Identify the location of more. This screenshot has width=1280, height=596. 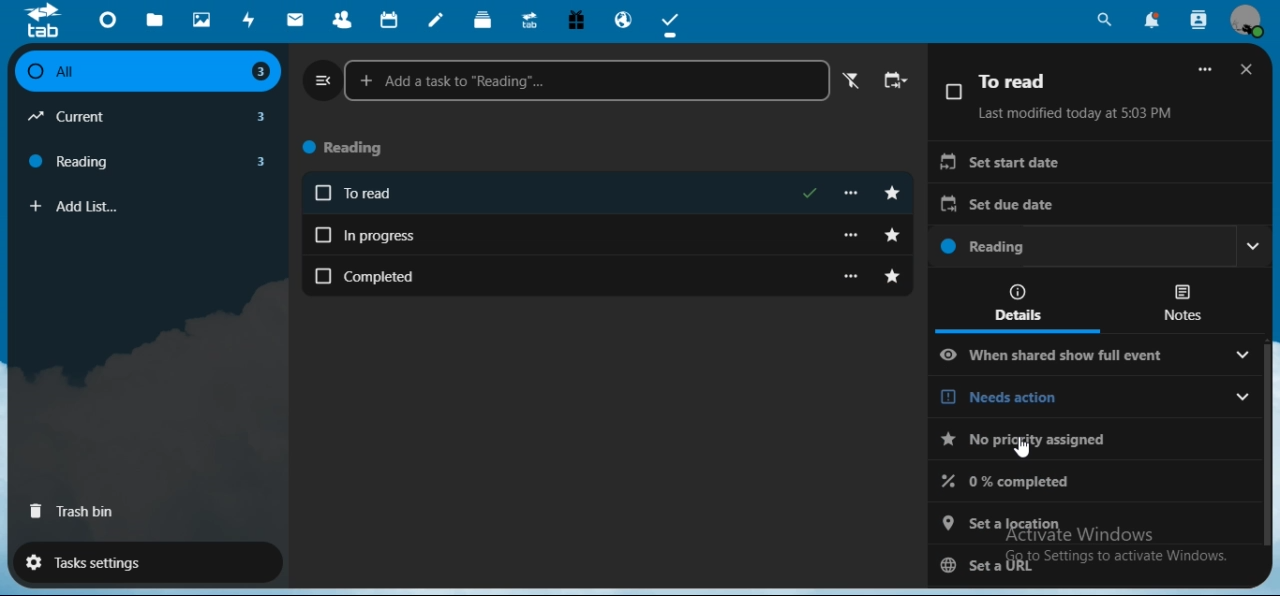
(854, 233).